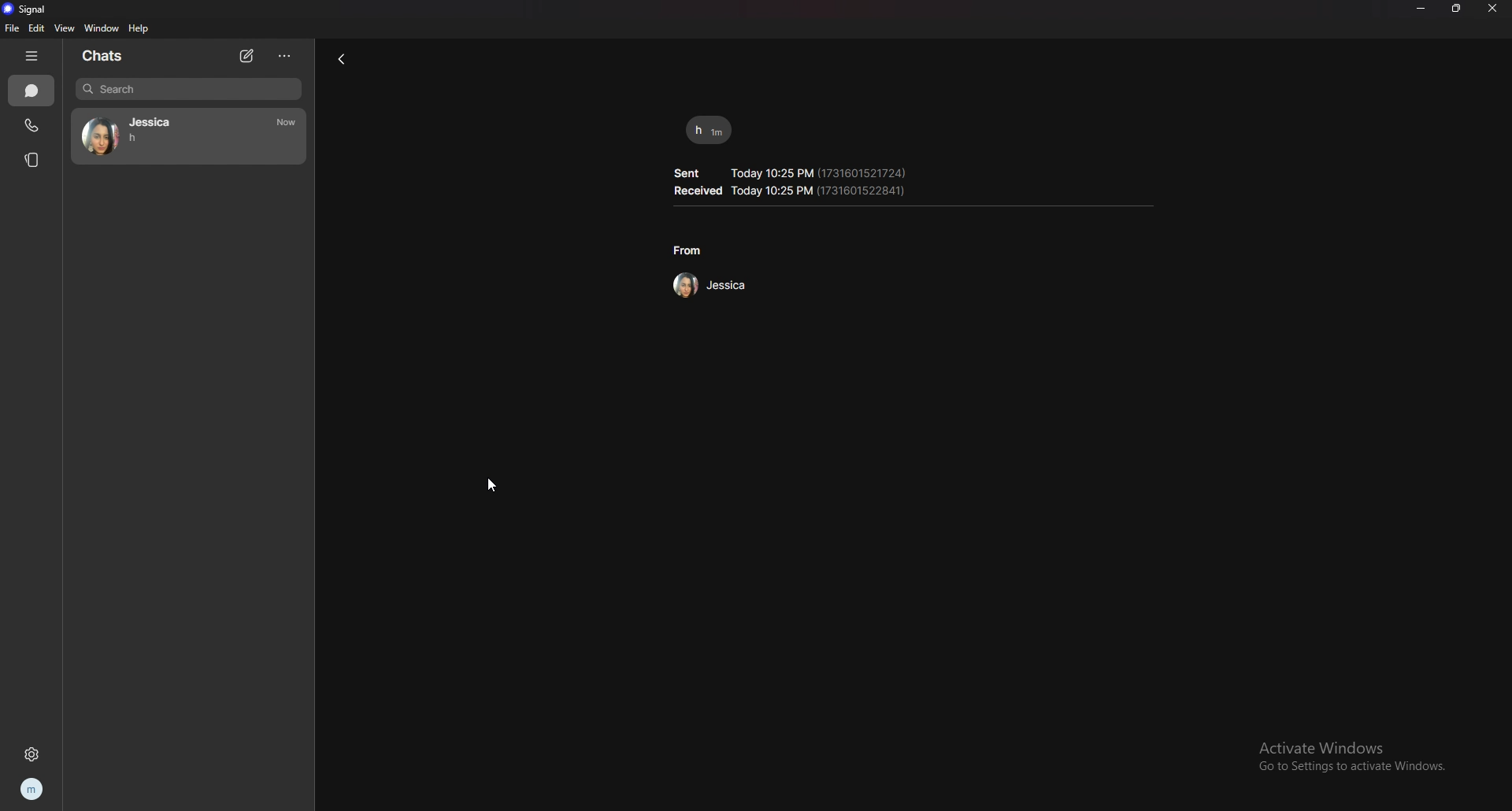 The height and width of the screenshot is (811, 1512). I want to click on resize, so click(1455, 9).